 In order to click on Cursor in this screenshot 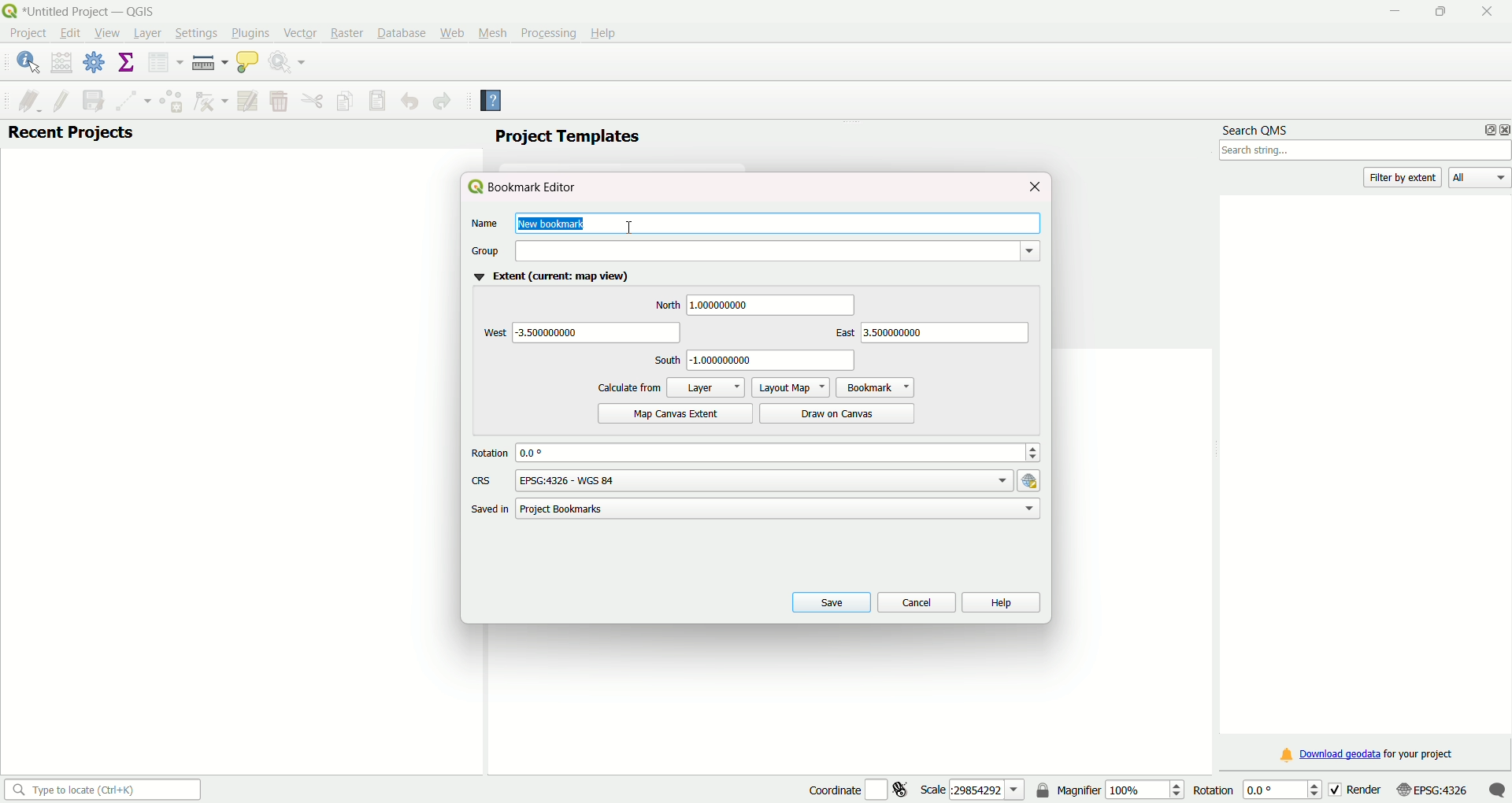, I will do `click(632, 222)`.